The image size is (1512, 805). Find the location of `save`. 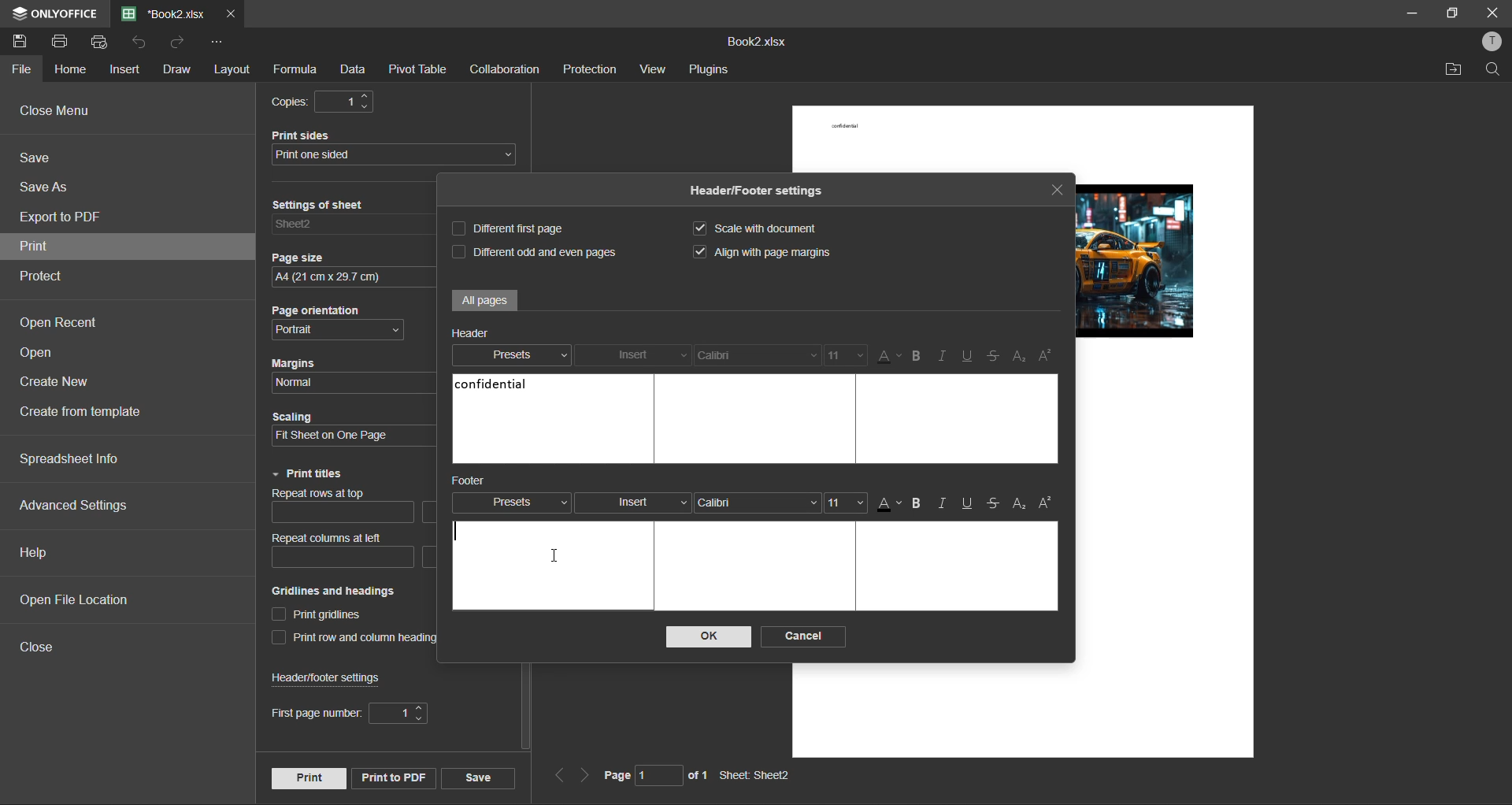

save is located at coordinates (21, 42).